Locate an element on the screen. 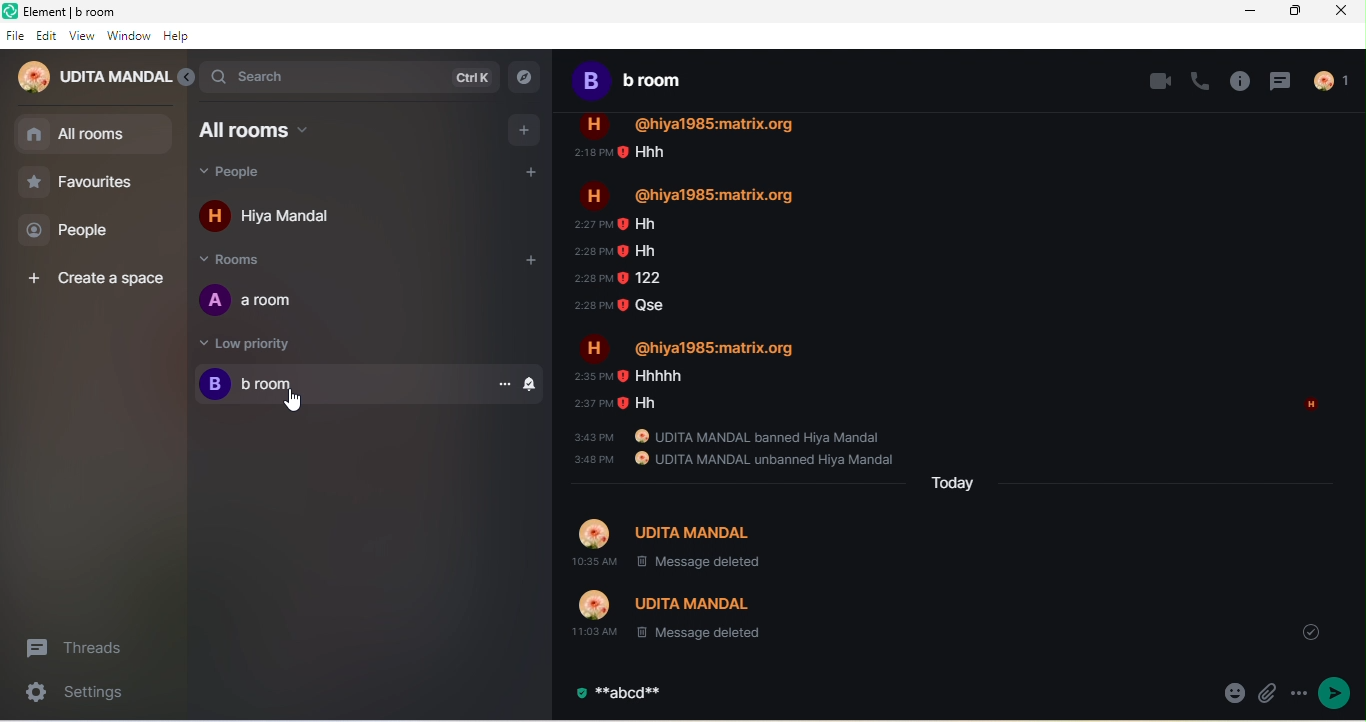 The height and width of the screenshot is (722, 1366). udita mandal is located at coordinates (93, 77).